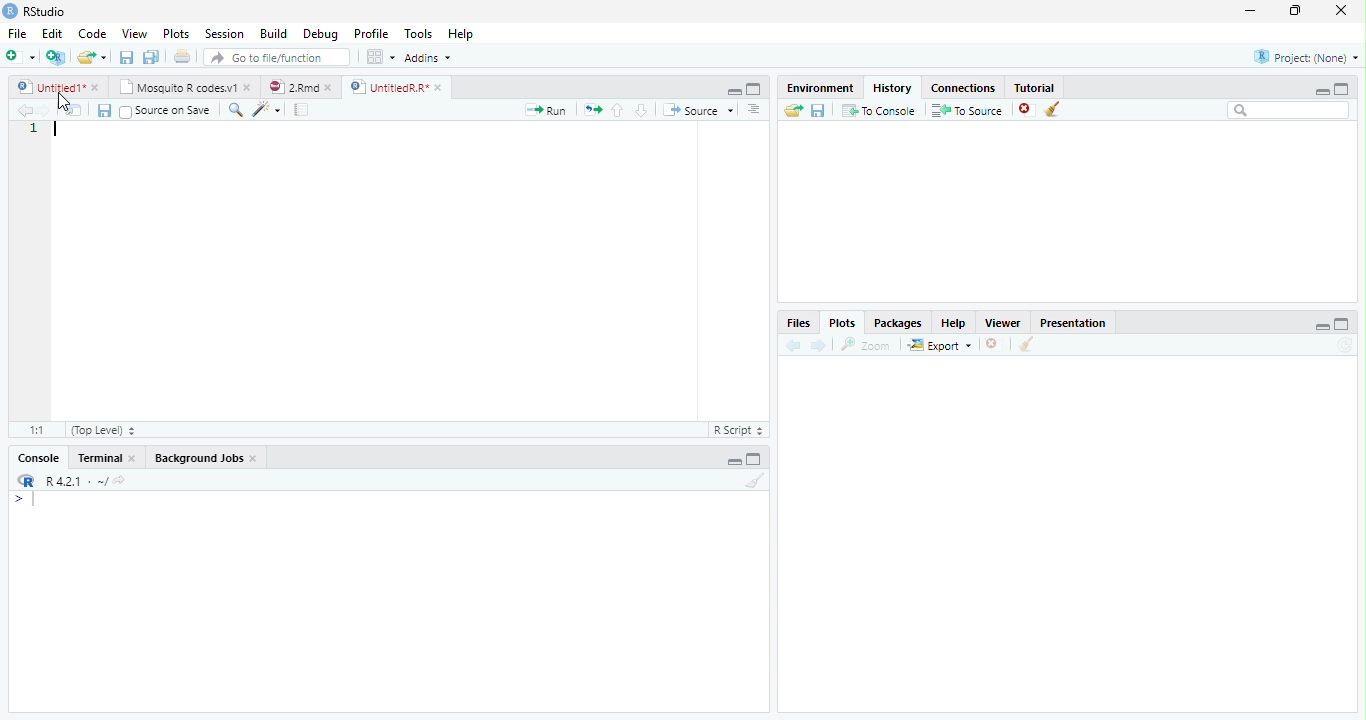  Describe the element at coordinates (1072, 323) in the screenshot. I see `Presentation` at that location.